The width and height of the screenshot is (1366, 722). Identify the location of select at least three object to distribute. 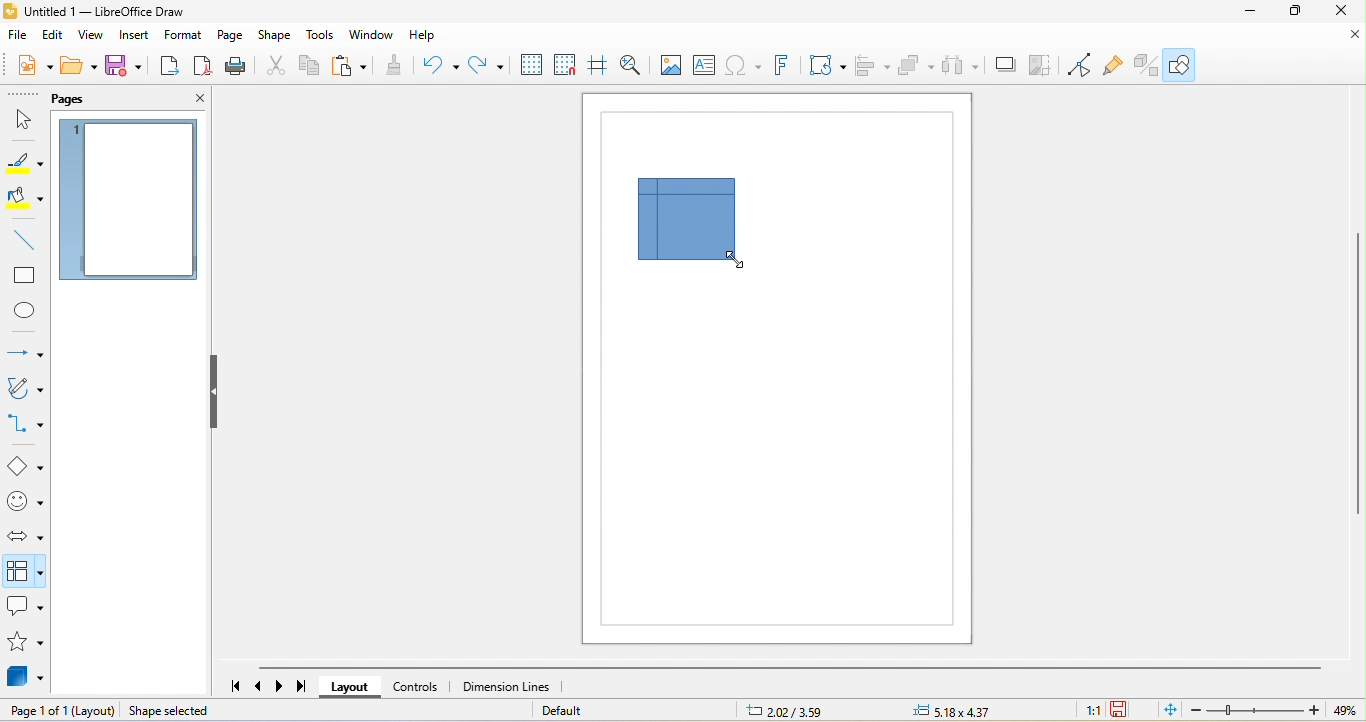
(967, 66).